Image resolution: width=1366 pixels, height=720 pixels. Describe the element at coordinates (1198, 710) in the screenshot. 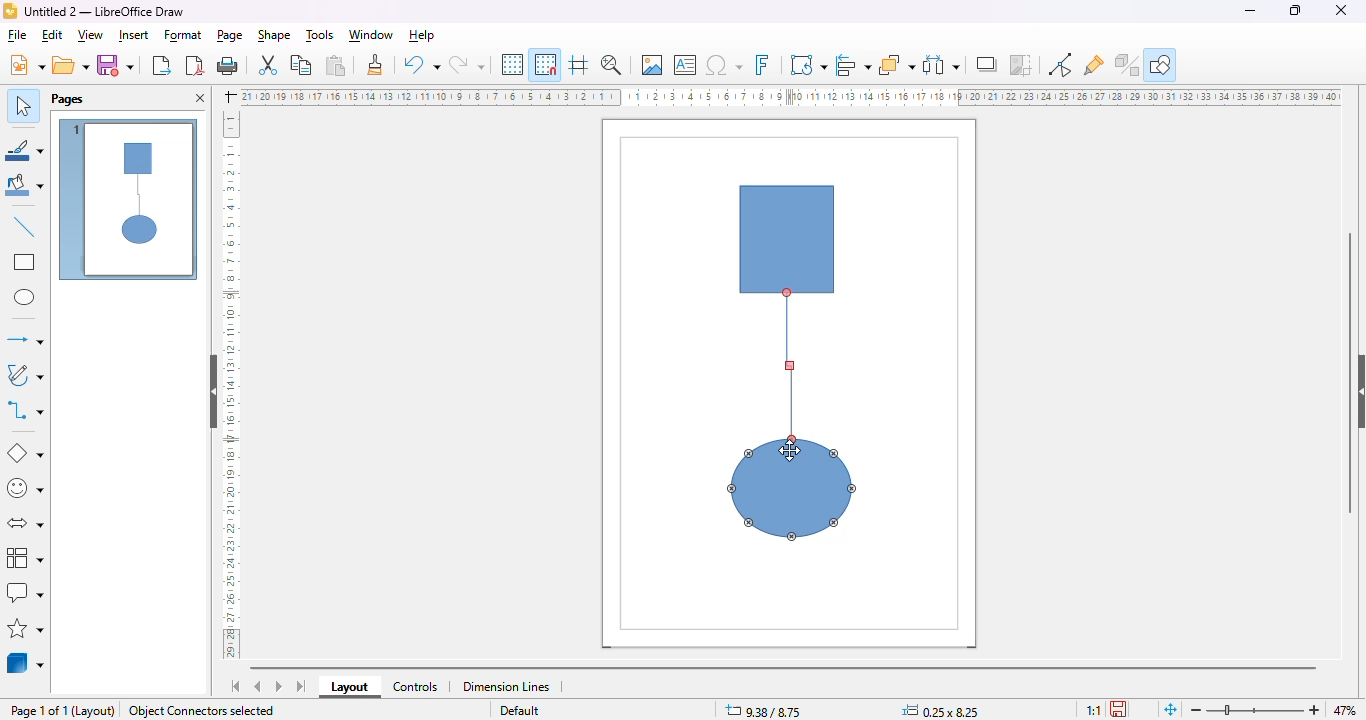

I see `zoom out` at that location.